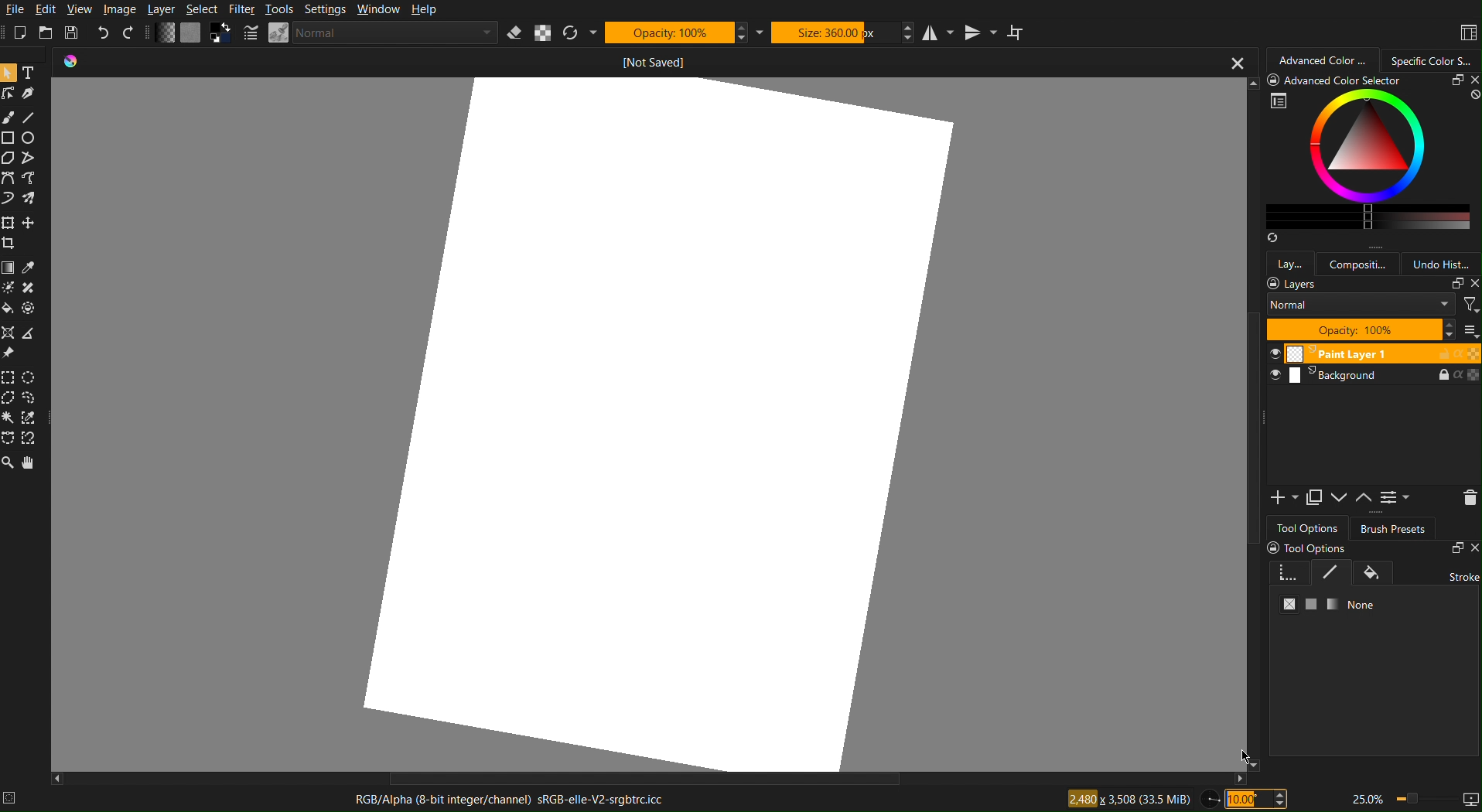 The width and height of the screenshot is (1482, 812). Describe the element at coordinates (28, 288) in the screenshot. I see `Burn Tool` at that location.